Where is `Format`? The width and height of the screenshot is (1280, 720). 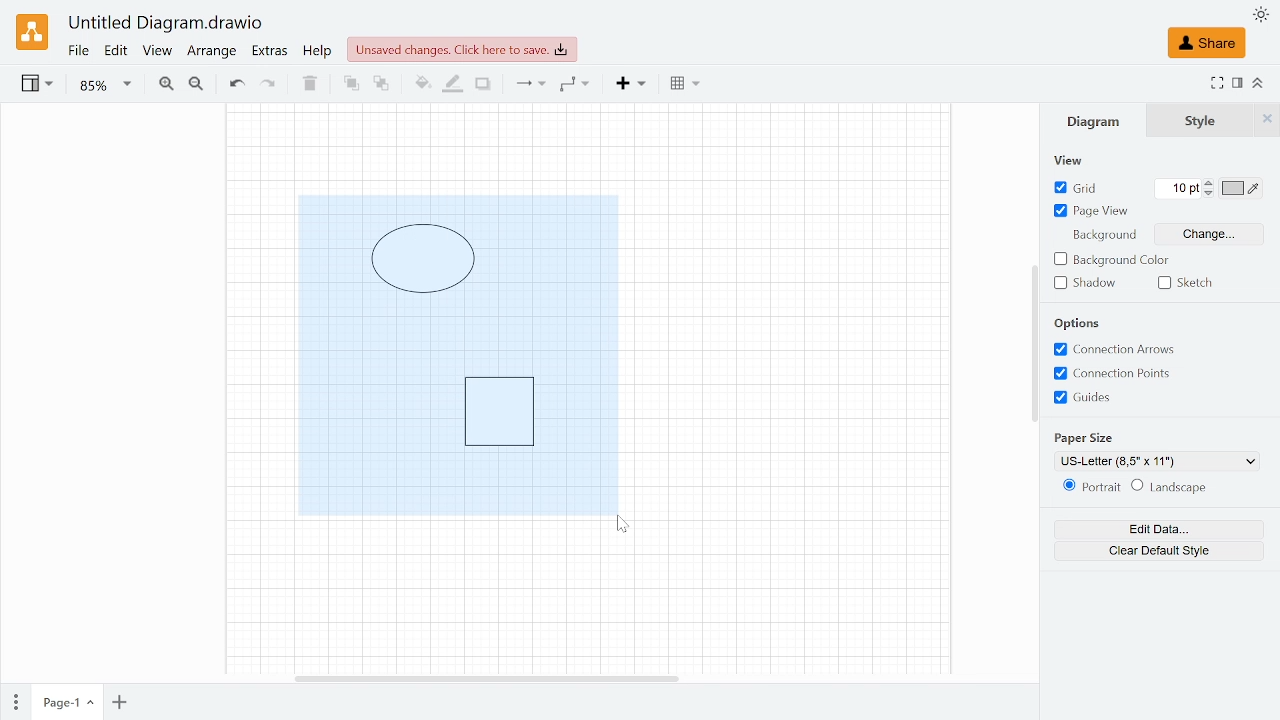 Format is located at coordinates (1238, 83).